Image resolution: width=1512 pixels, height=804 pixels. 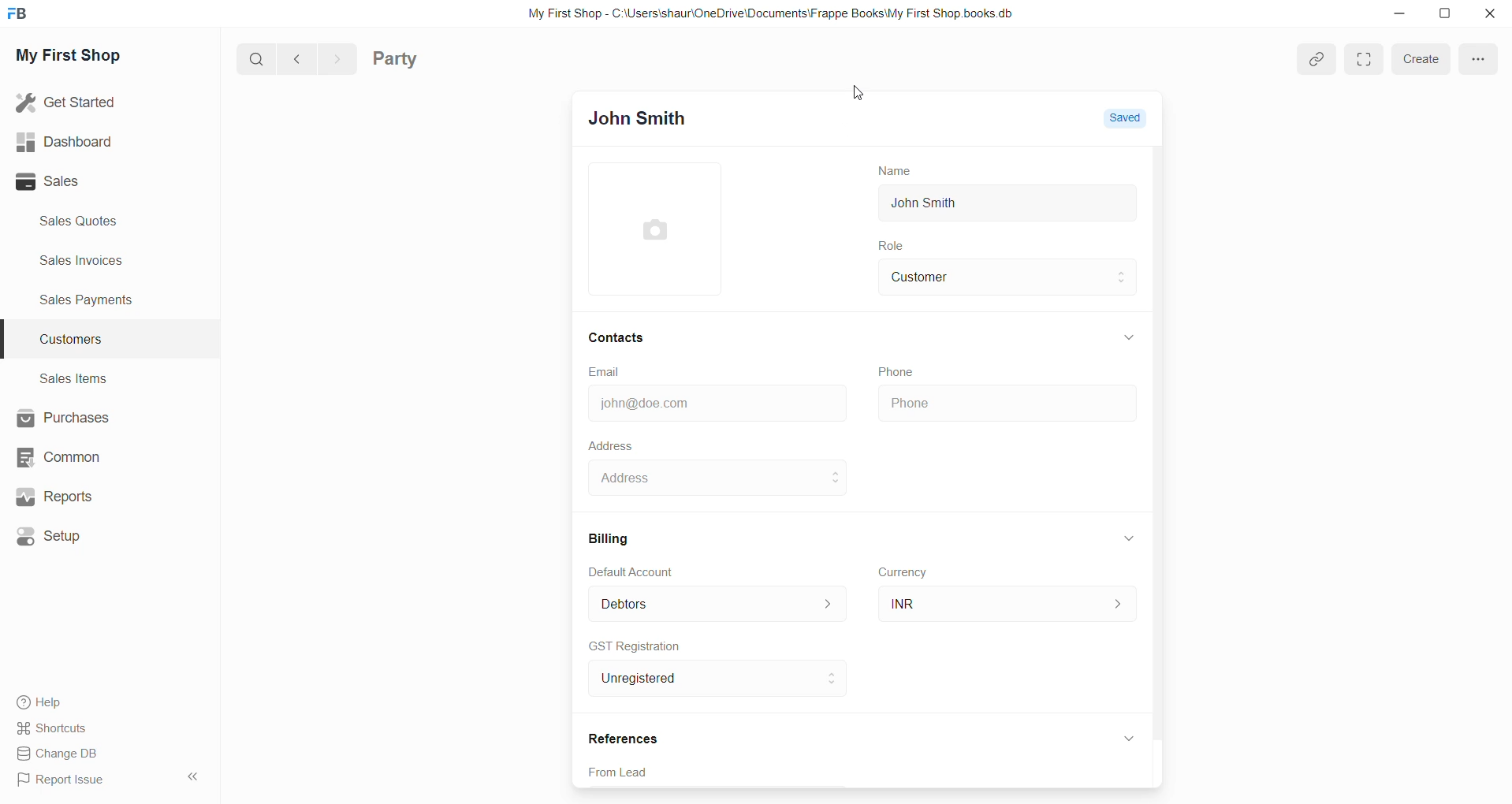 What do you see at coordinates (88, 221) in the screenshot?
I see `sales quote` at bounding box center [88, 221].